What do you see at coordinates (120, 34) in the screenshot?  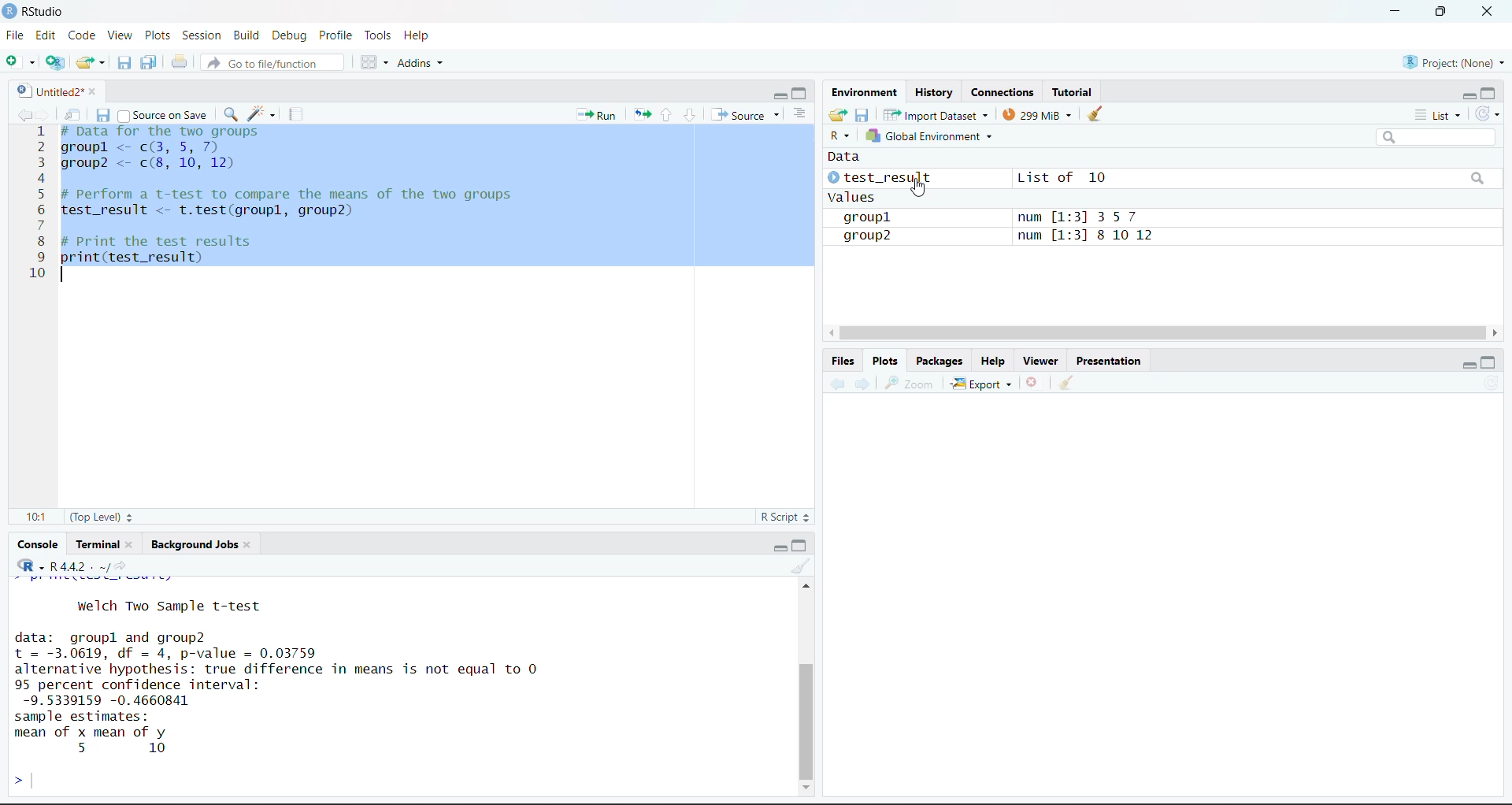 I see `View` at bounding box center [120, 34].